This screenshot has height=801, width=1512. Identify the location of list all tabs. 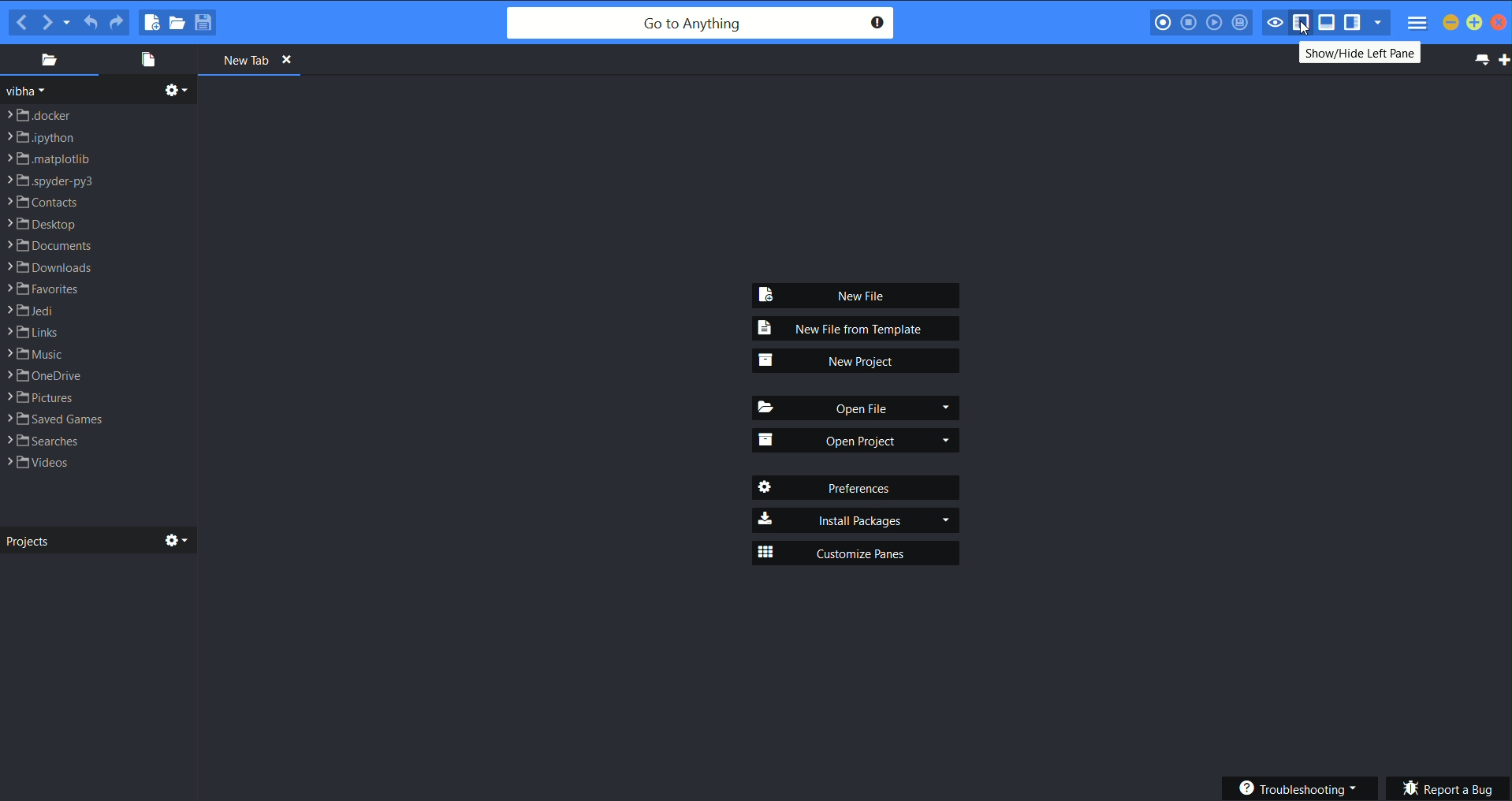
(1482, 61).